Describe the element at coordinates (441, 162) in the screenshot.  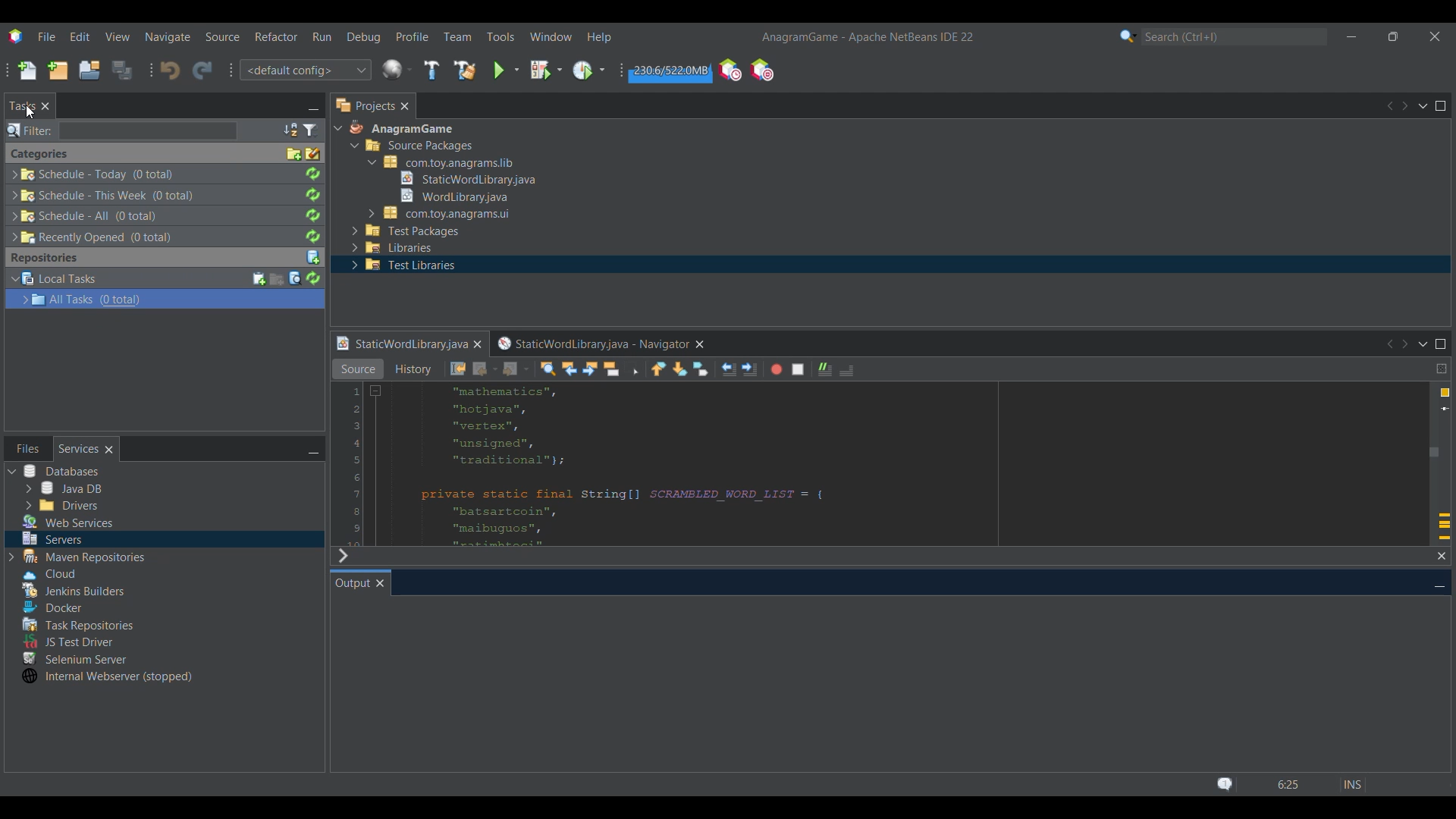
I see `` at that location.